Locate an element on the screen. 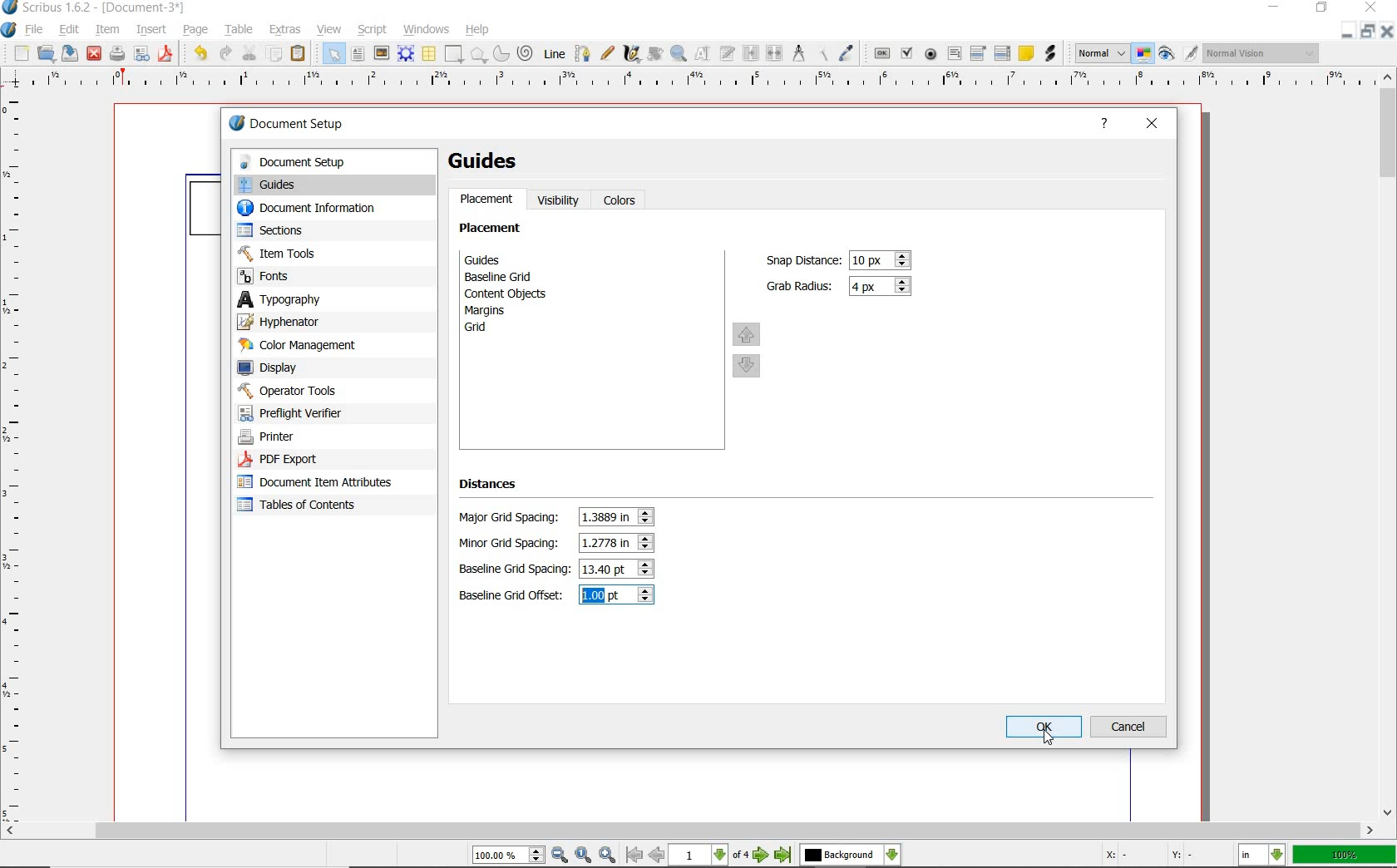 The image size is (1397, 868). margins is located at coordinates (494, 310).